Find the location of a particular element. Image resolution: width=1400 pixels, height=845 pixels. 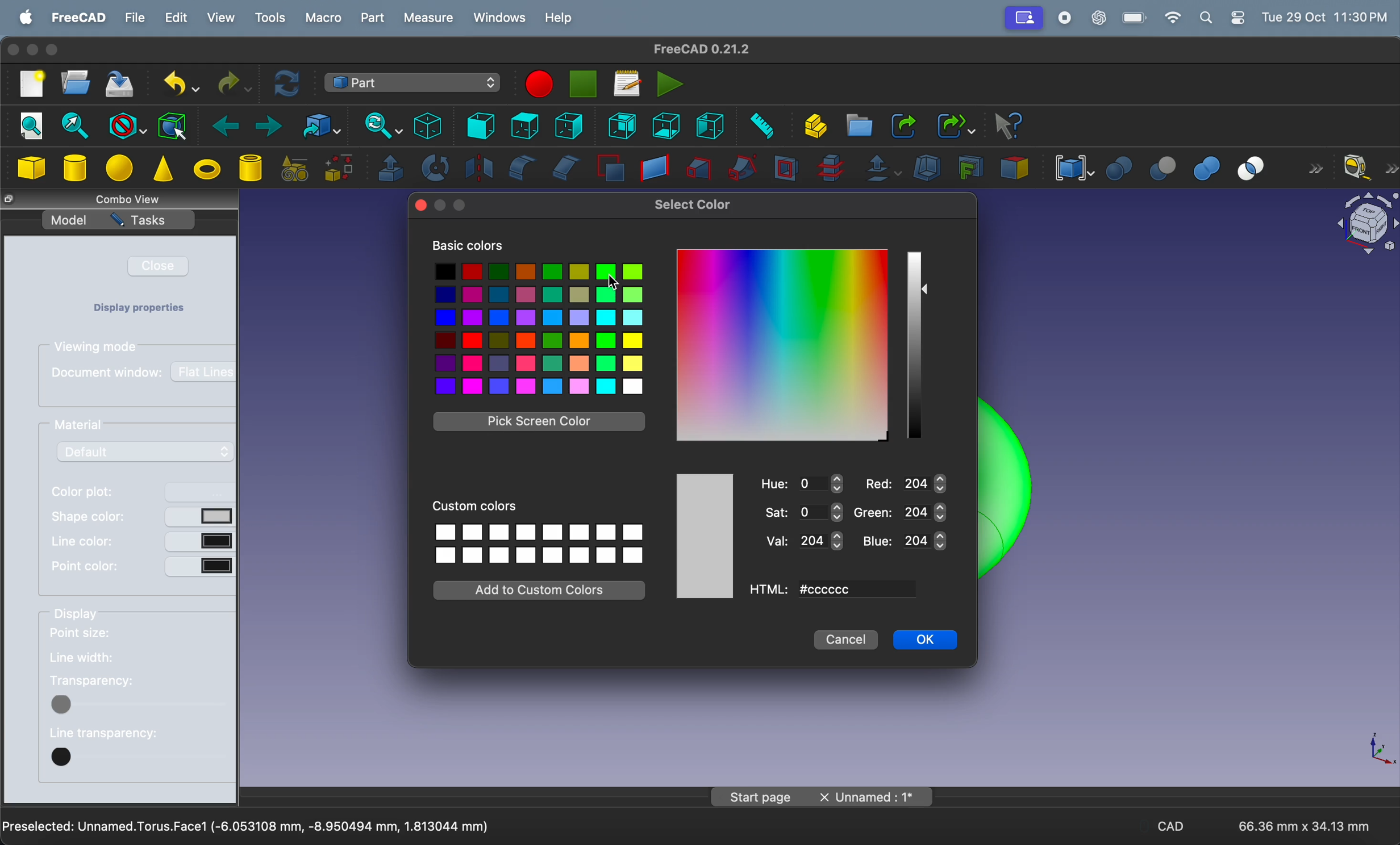

bounding box is located at coordinates (173, 125).